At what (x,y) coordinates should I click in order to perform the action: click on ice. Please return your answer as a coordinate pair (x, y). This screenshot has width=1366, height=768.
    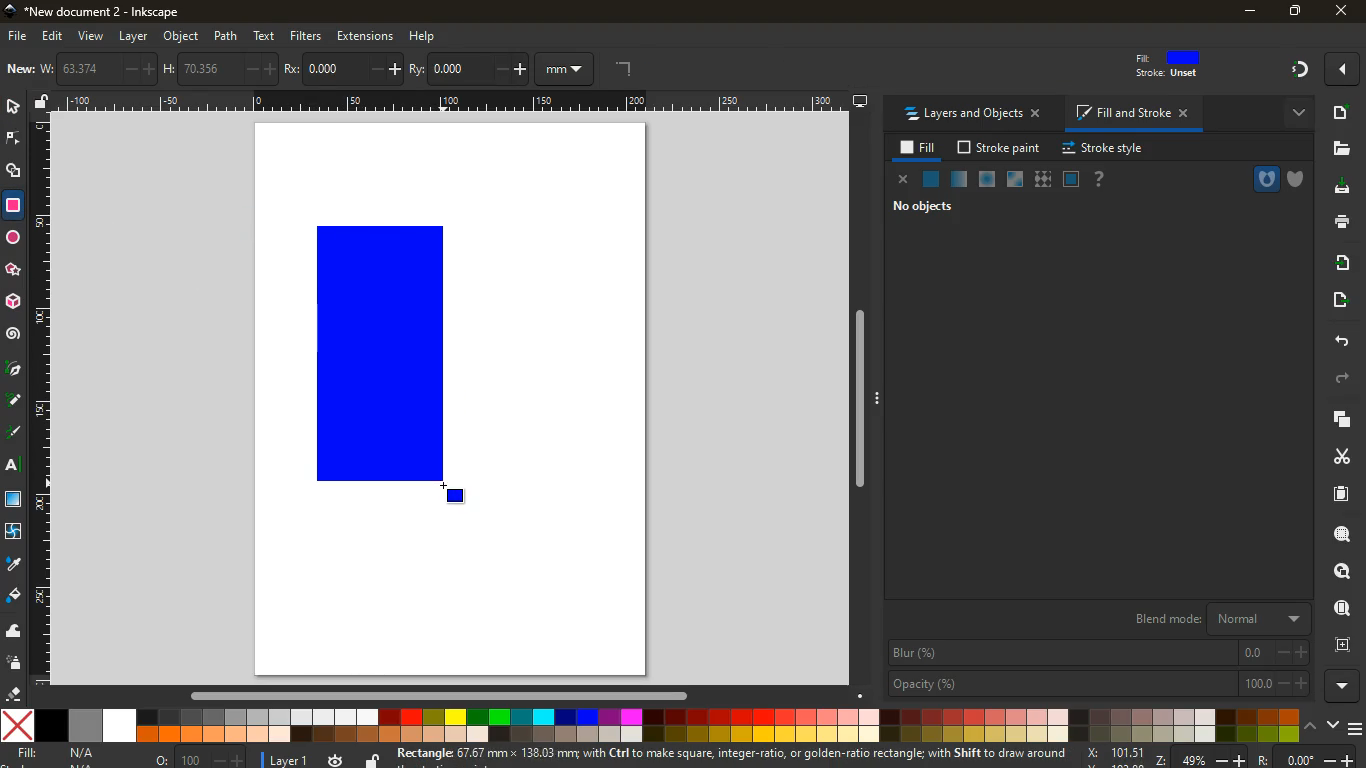
    Looking at the image, I should click on (987, 178).